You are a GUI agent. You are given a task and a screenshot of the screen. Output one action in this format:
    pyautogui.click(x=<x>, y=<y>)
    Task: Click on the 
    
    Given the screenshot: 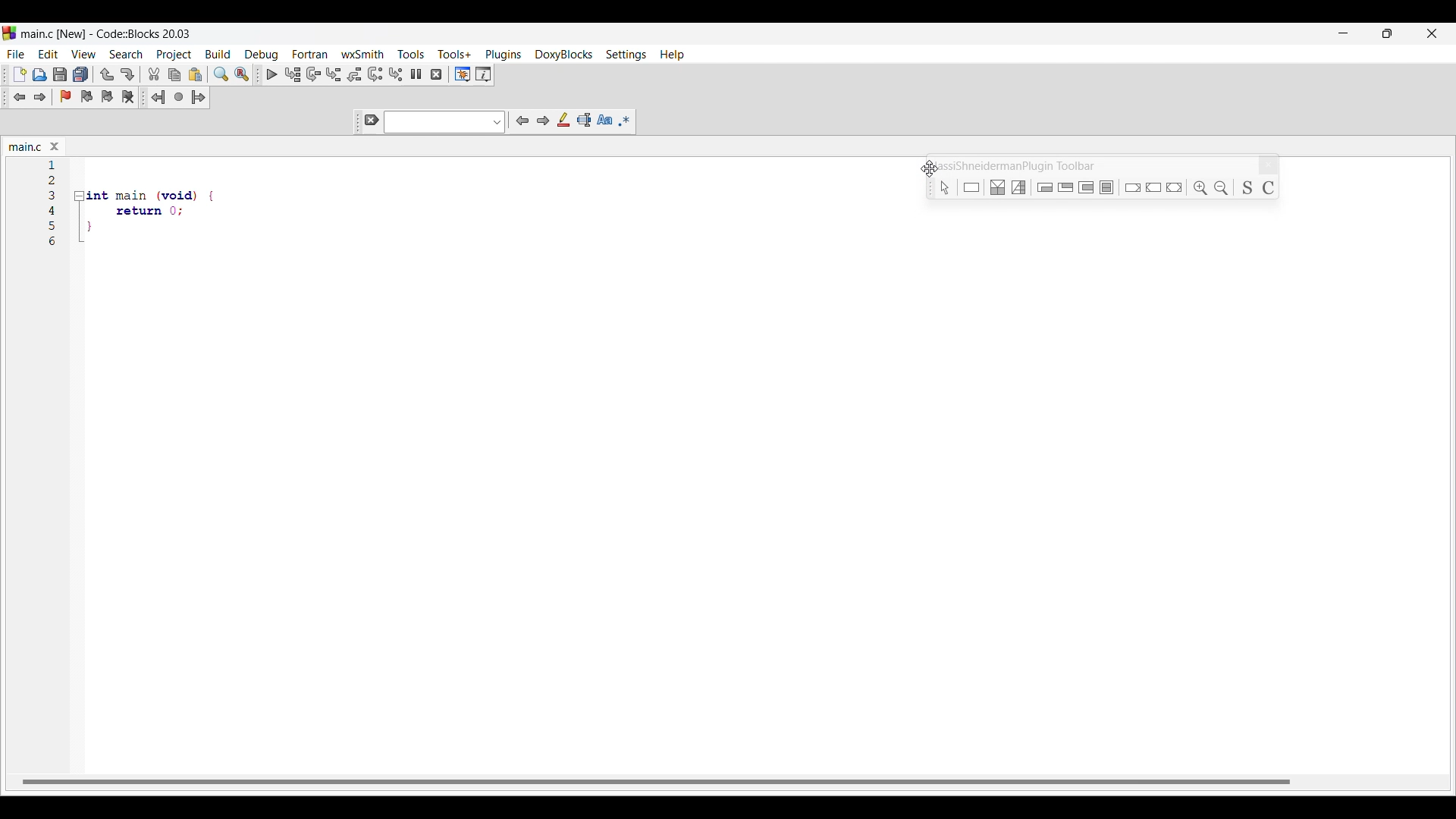 What is the action you would take?
    pyautogui.click(x=1247, y=187)
    